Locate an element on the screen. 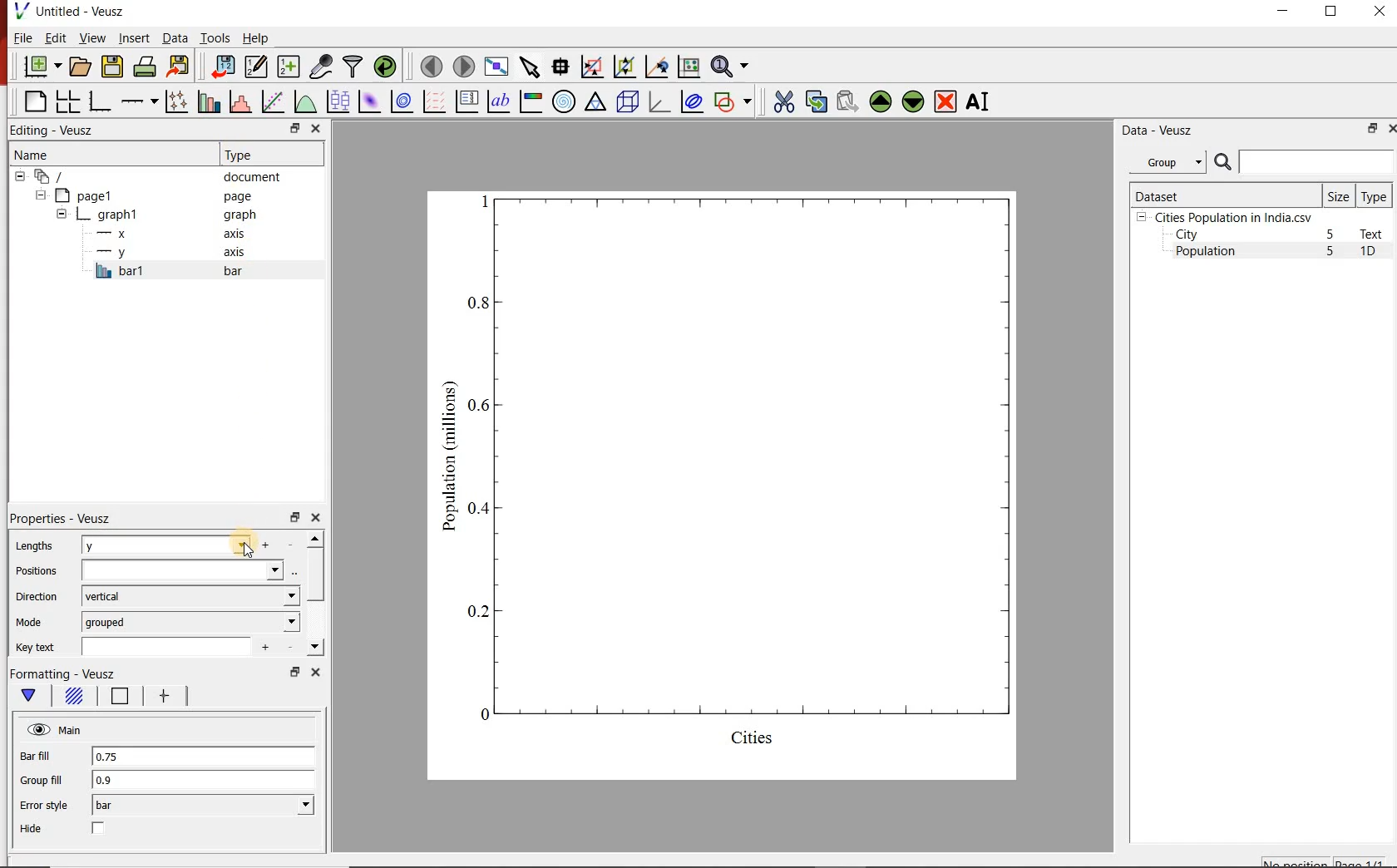  3d scene is located at coordinates (626, 101).